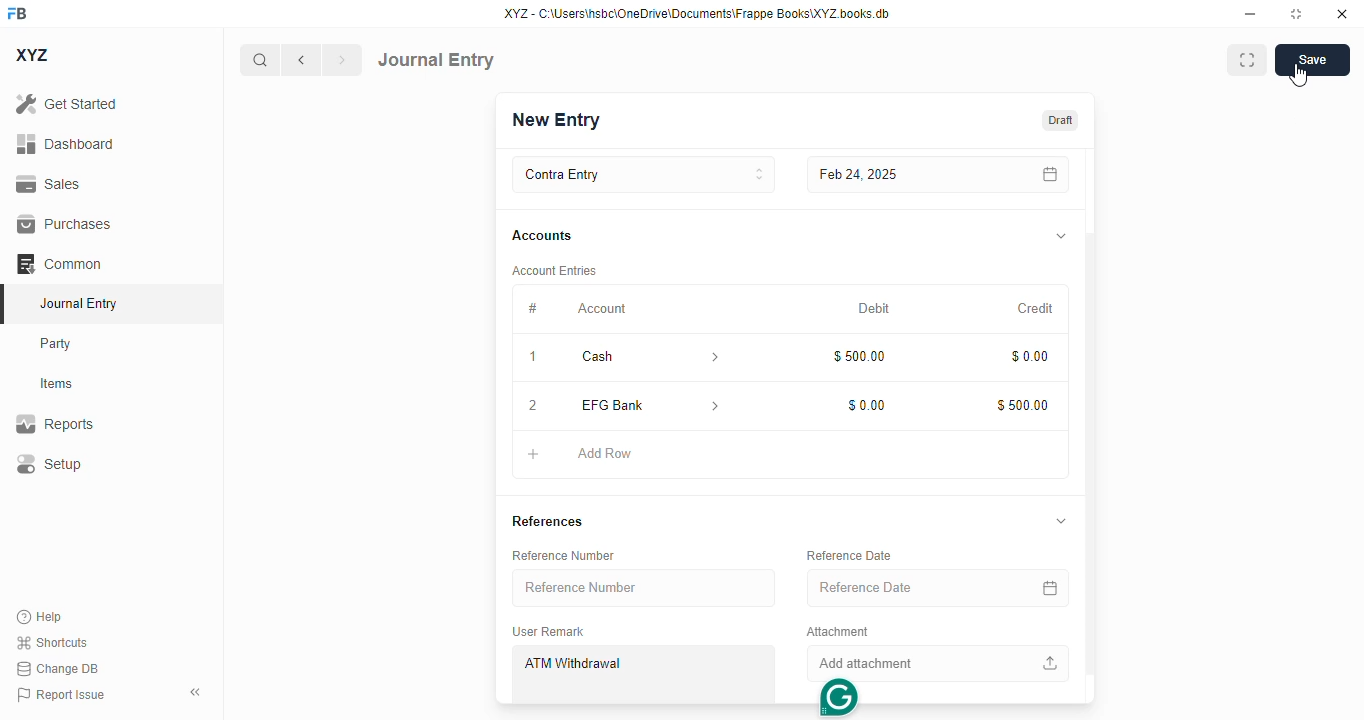 Image resolution: width=1364 pixels, height=720 pixels. What do you see at coordinates (933, 664) in the screenshot?
I see `add attachment` at bounding box center [933, 664].